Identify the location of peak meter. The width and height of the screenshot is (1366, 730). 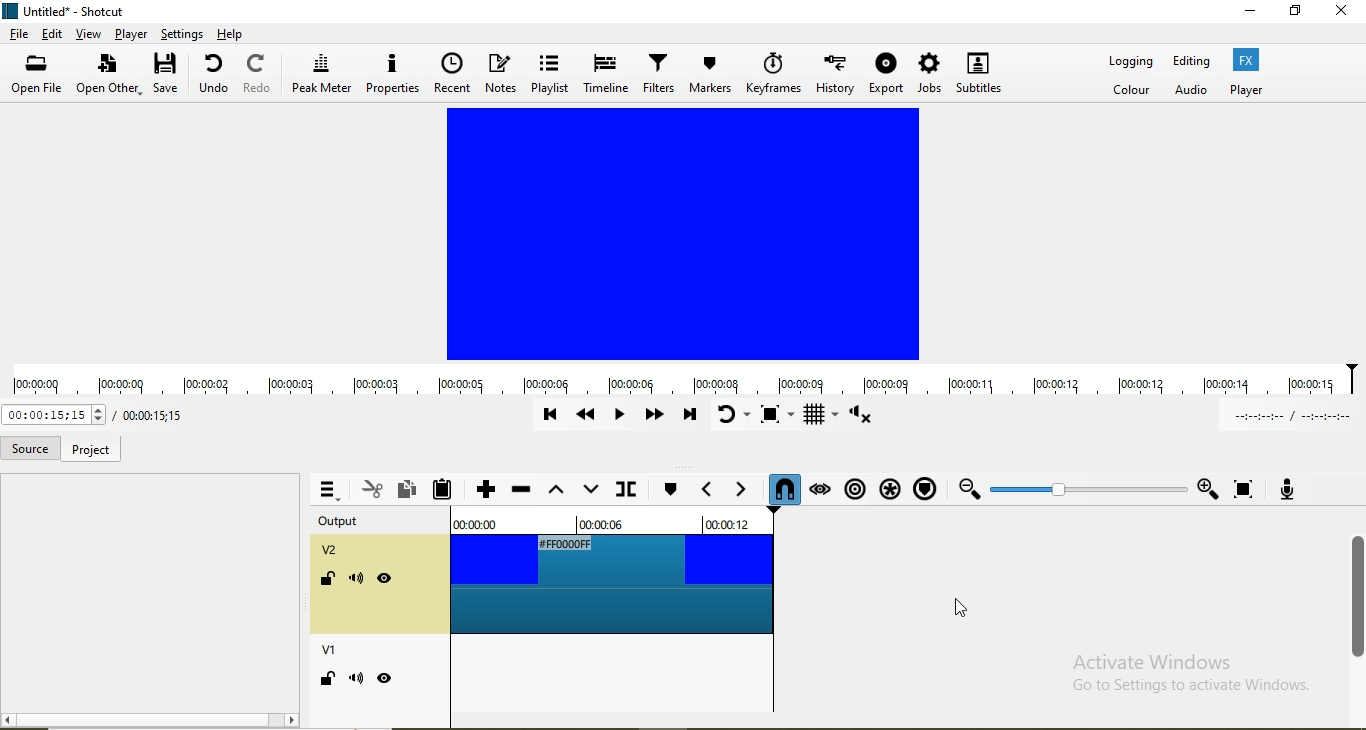
(322, 71).